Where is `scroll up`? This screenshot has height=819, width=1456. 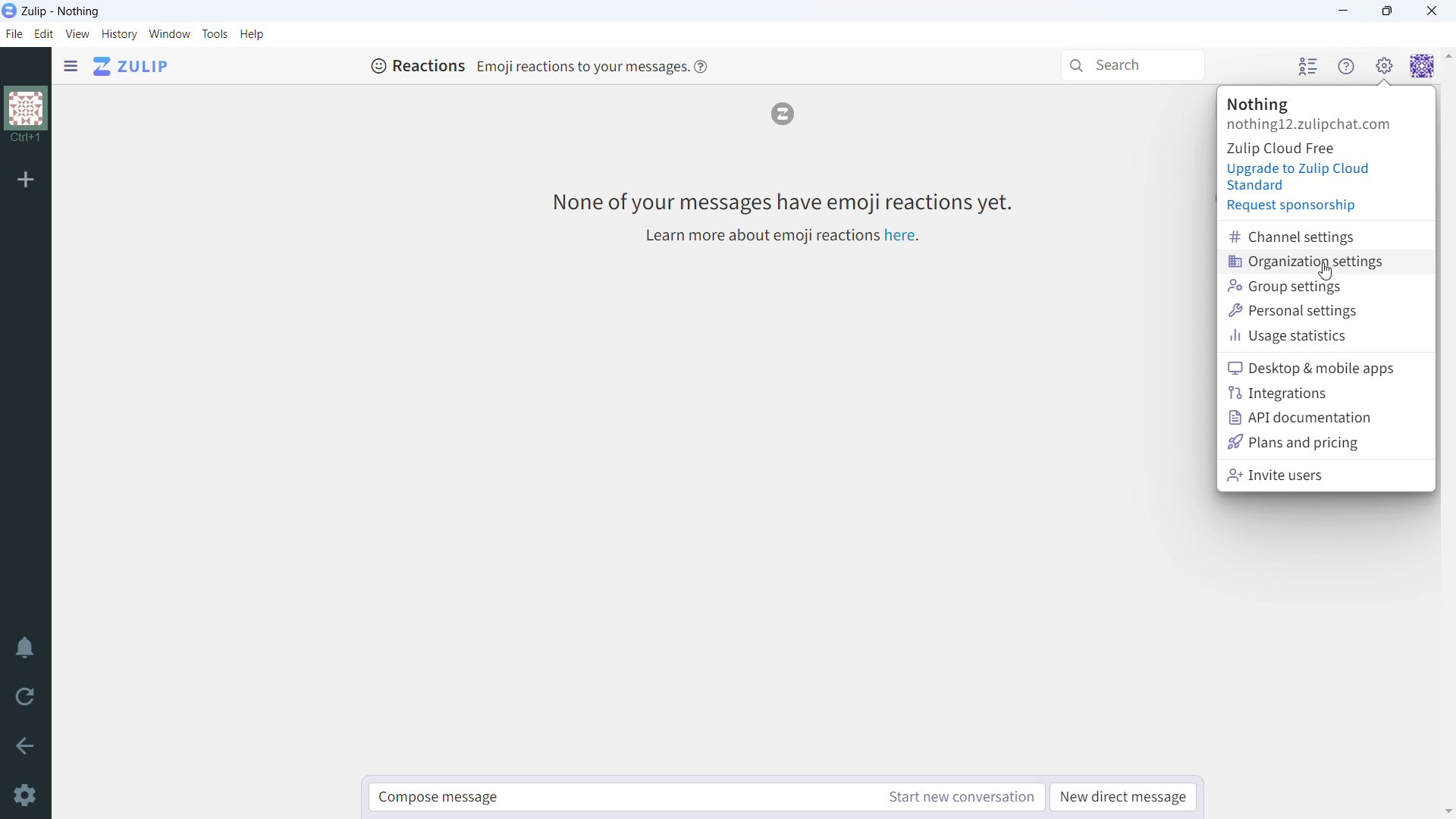
scroll up is located at coordinates (1447, 55).